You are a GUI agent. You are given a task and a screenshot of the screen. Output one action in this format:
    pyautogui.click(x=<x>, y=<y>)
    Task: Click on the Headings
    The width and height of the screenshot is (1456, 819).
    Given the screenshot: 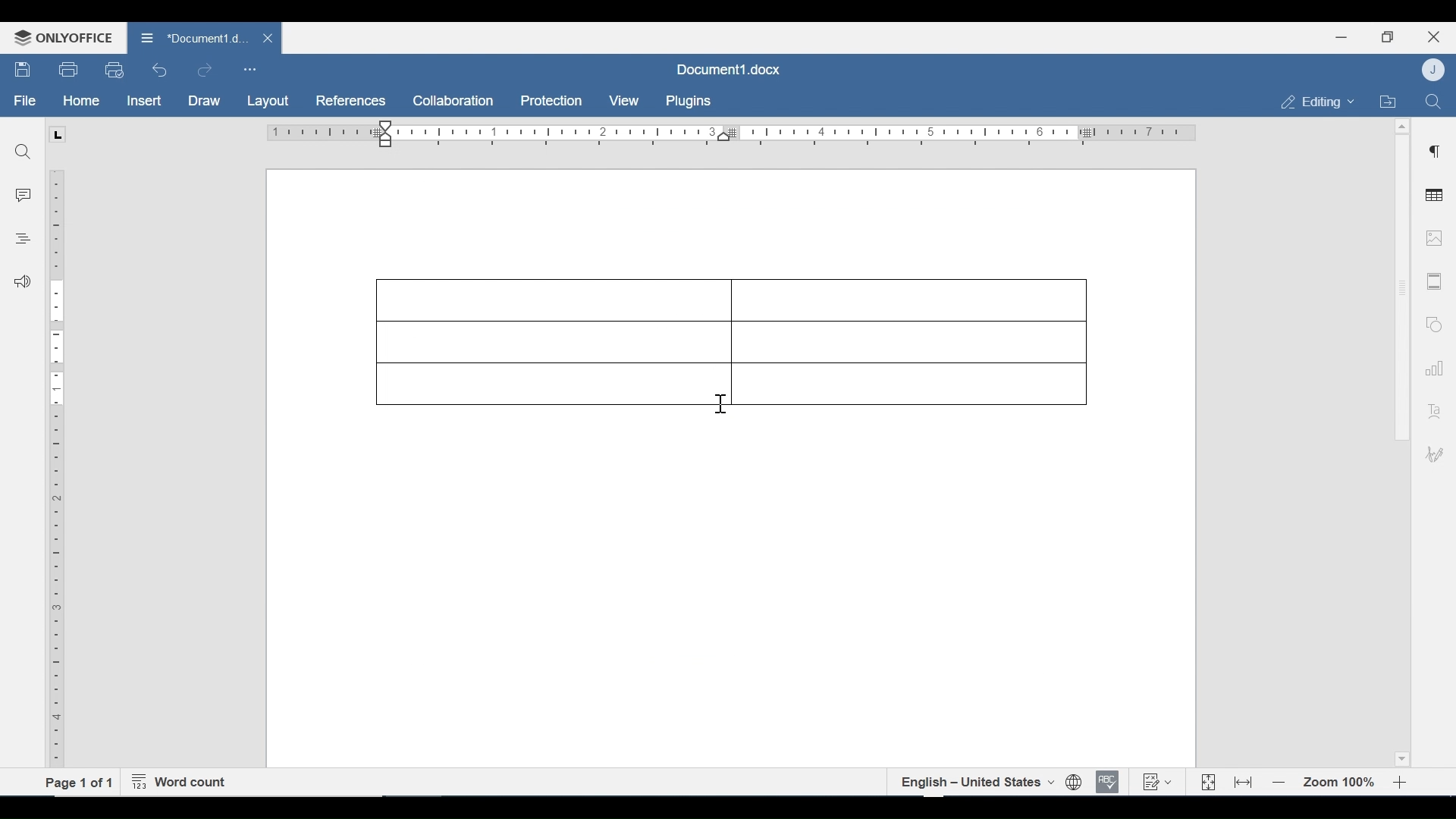 What is the action you would take?
    pyautogui.click(x=22, y=237)
    